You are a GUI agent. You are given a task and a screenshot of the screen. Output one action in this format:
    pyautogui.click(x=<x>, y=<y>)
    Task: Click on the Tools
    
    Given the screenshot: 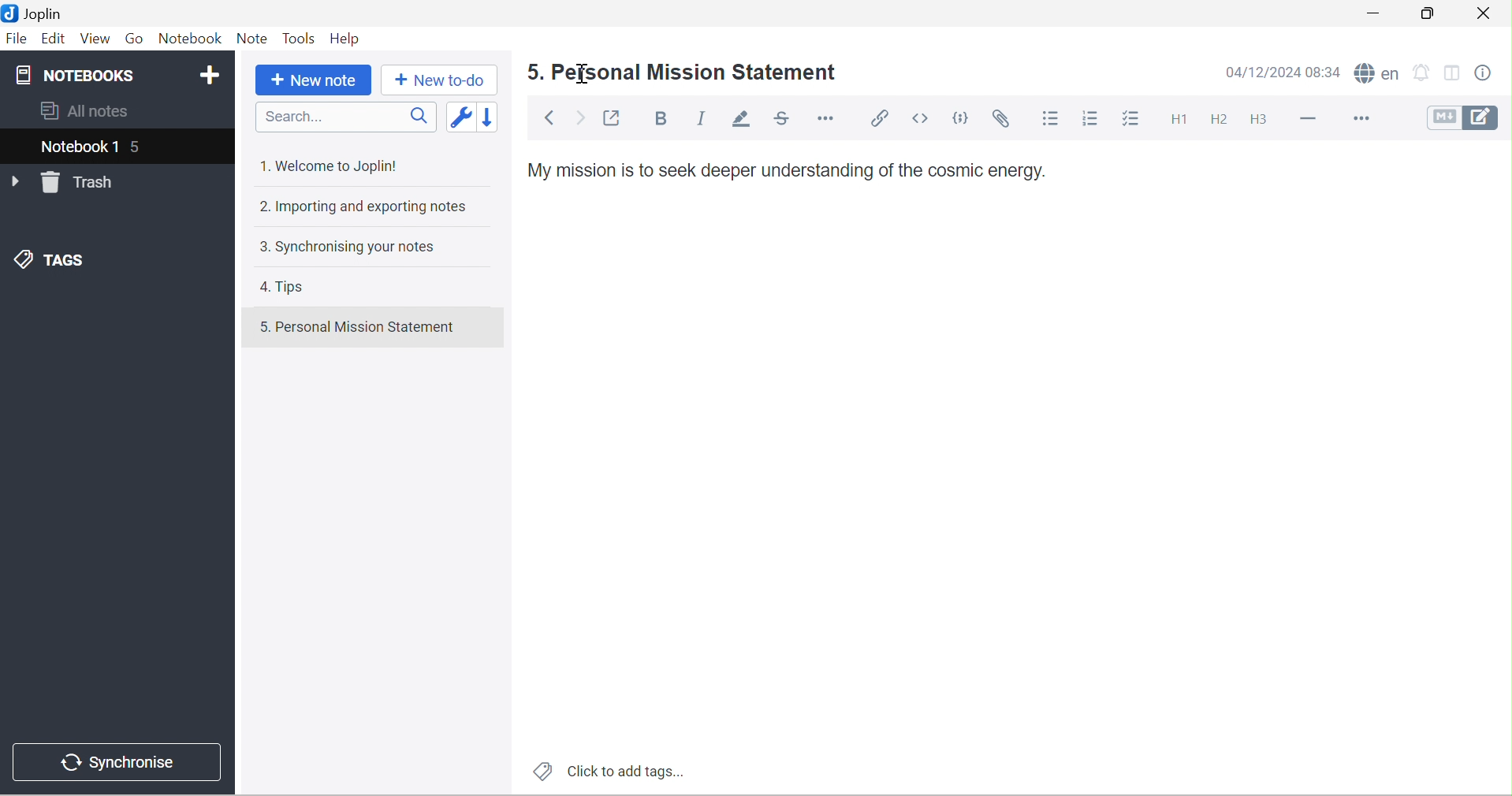 What is the action you would take?
    pyautogui.click(x=300, y=38)
    